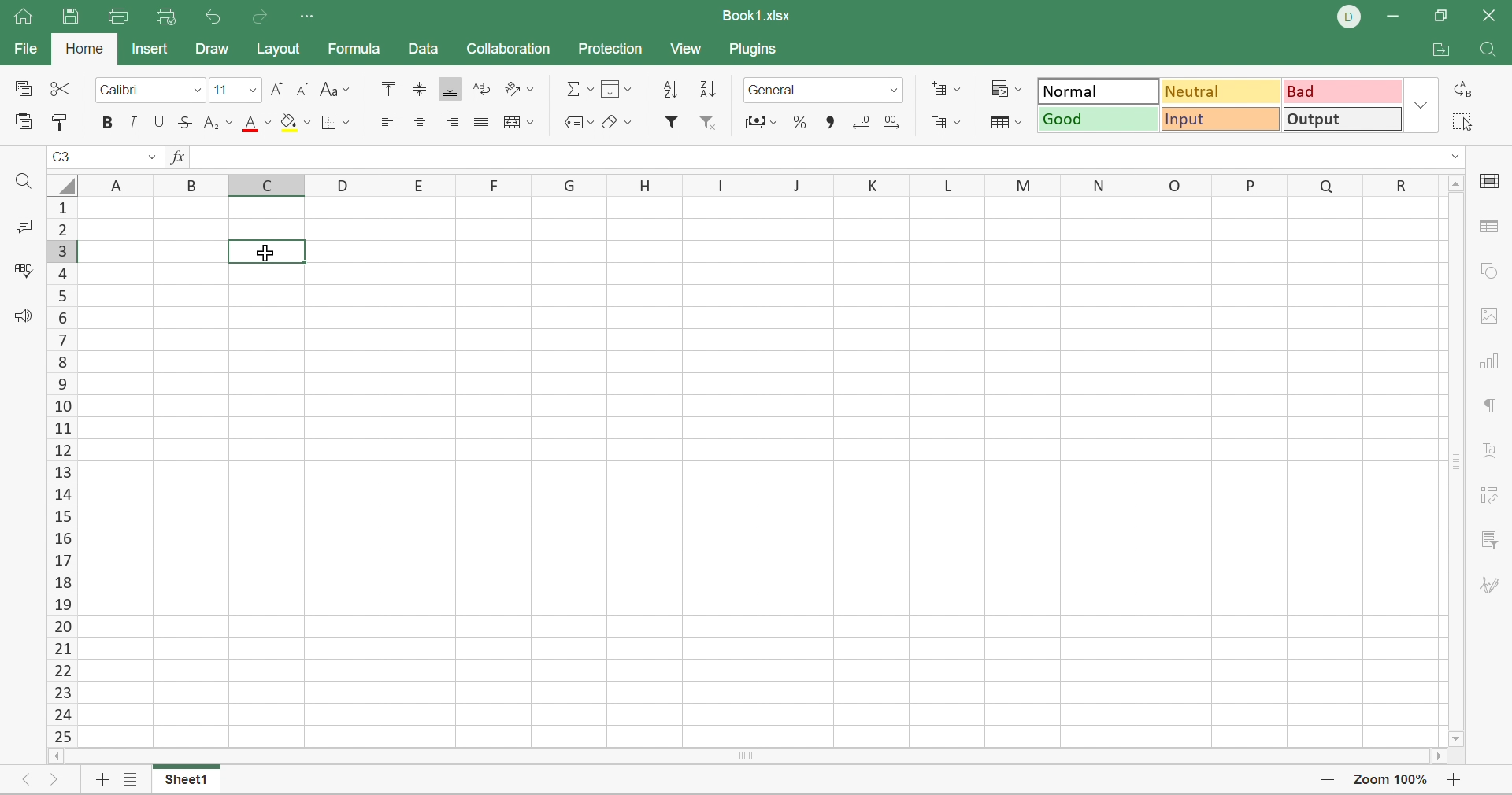 Image resolution: width=1512 pixels, height=795 pixels. I want to click on Justified, so click(484, 122).